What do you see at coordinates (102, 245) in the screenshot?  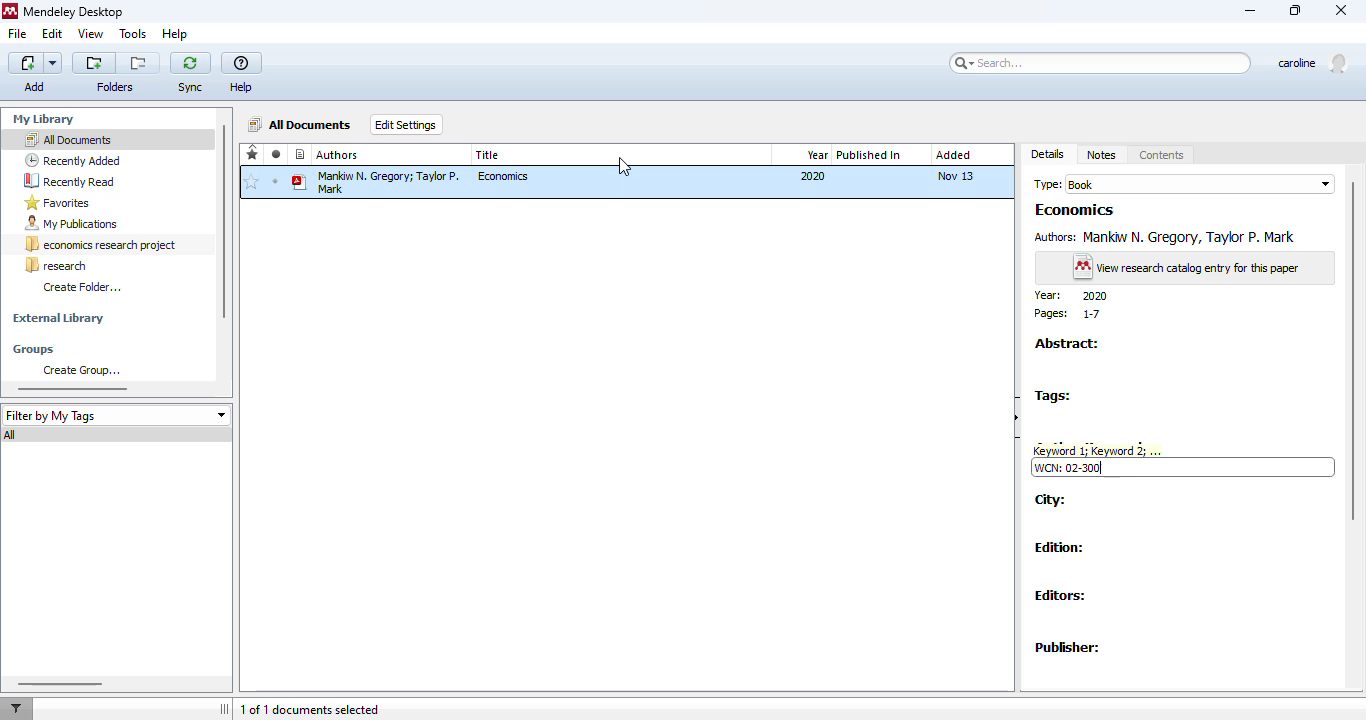 I see `economics research project` at bounding box center [102, 245].